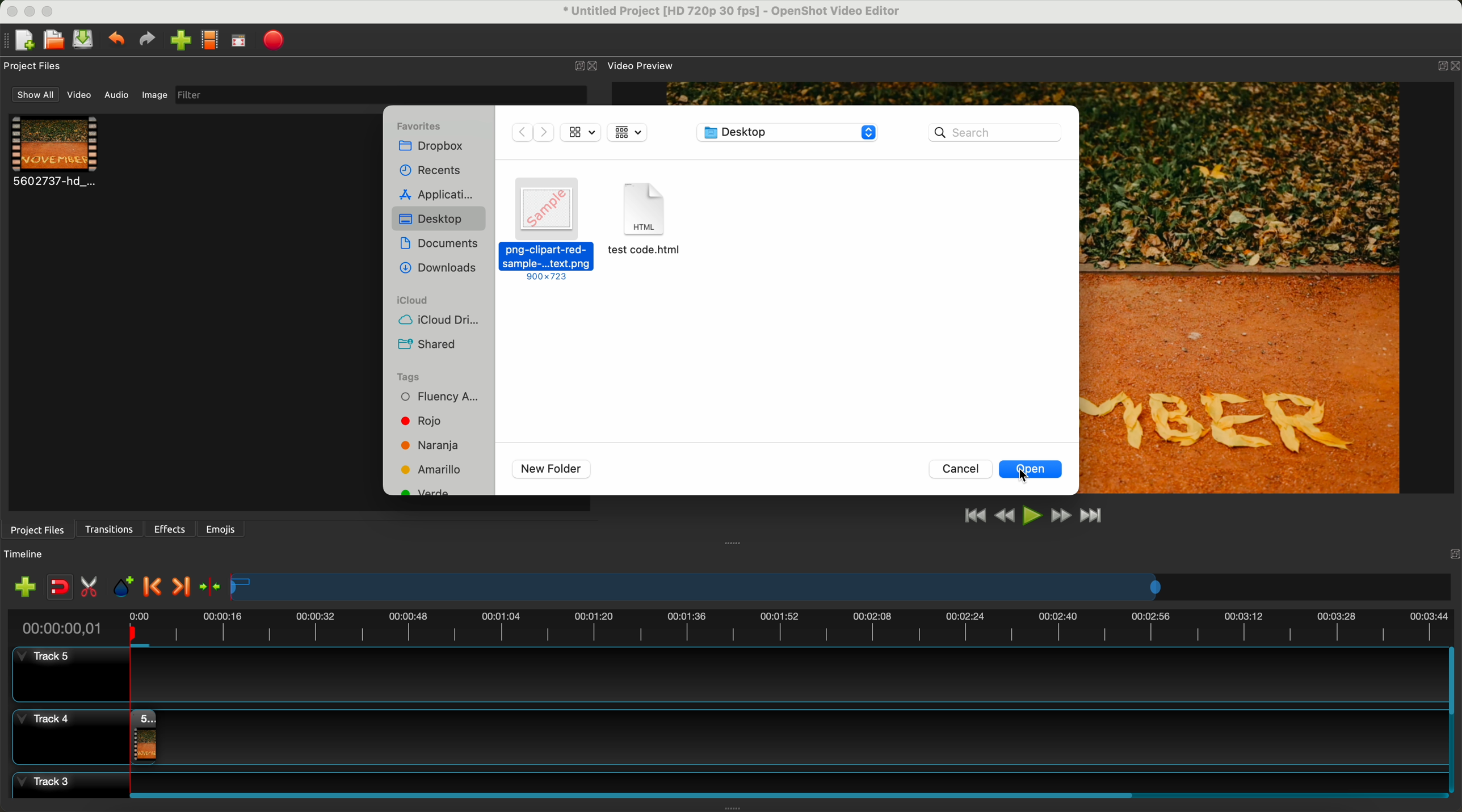 The width and height of the screenshot is (1462, 812). Describe the element at coordinates (118, 41) in the screenshot. I see `undo` at that location.